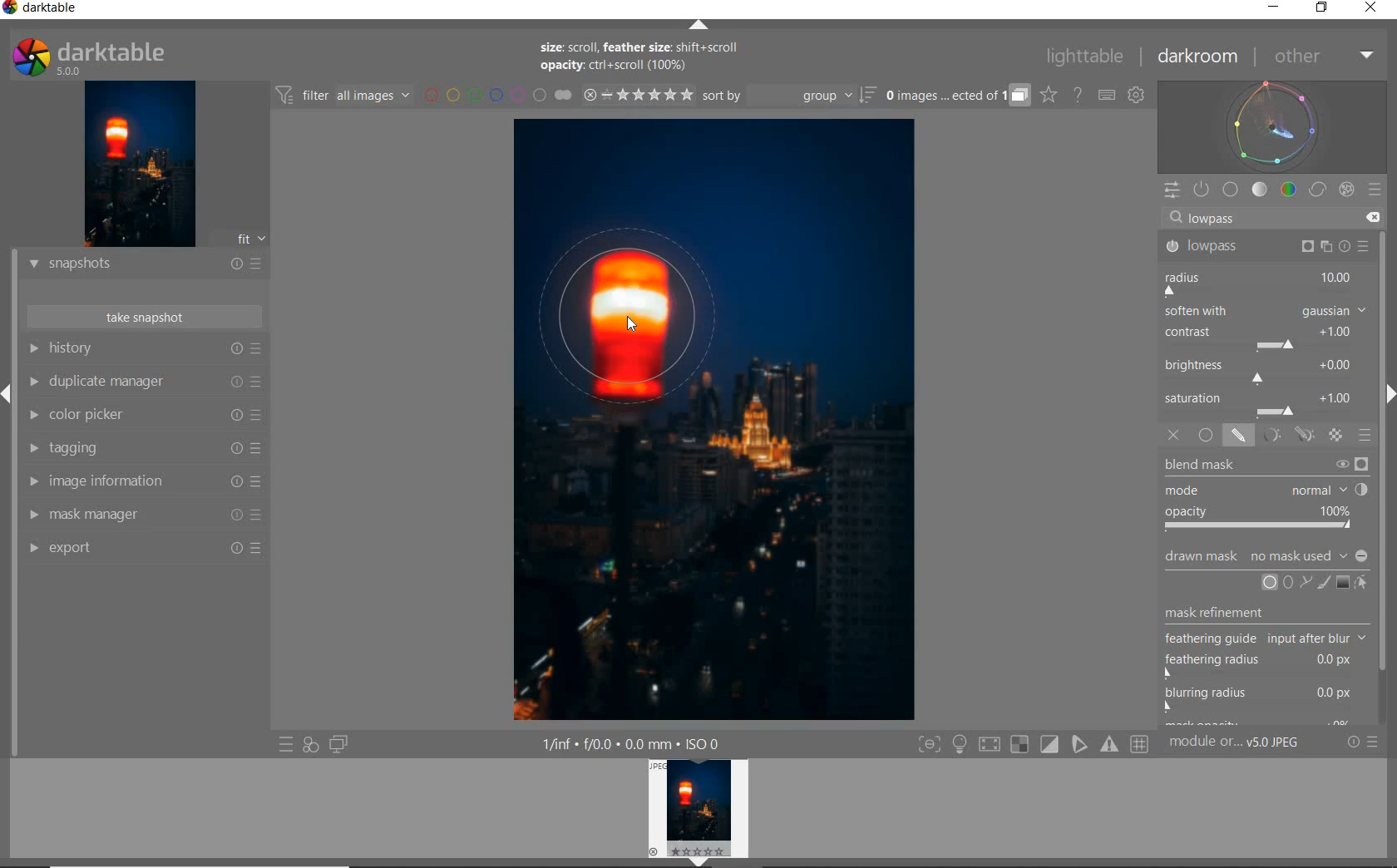 This screenshot has height=868, width=1397. I want to click on SHOW GLOBAL PREFERENCES, so click(1138, 96).